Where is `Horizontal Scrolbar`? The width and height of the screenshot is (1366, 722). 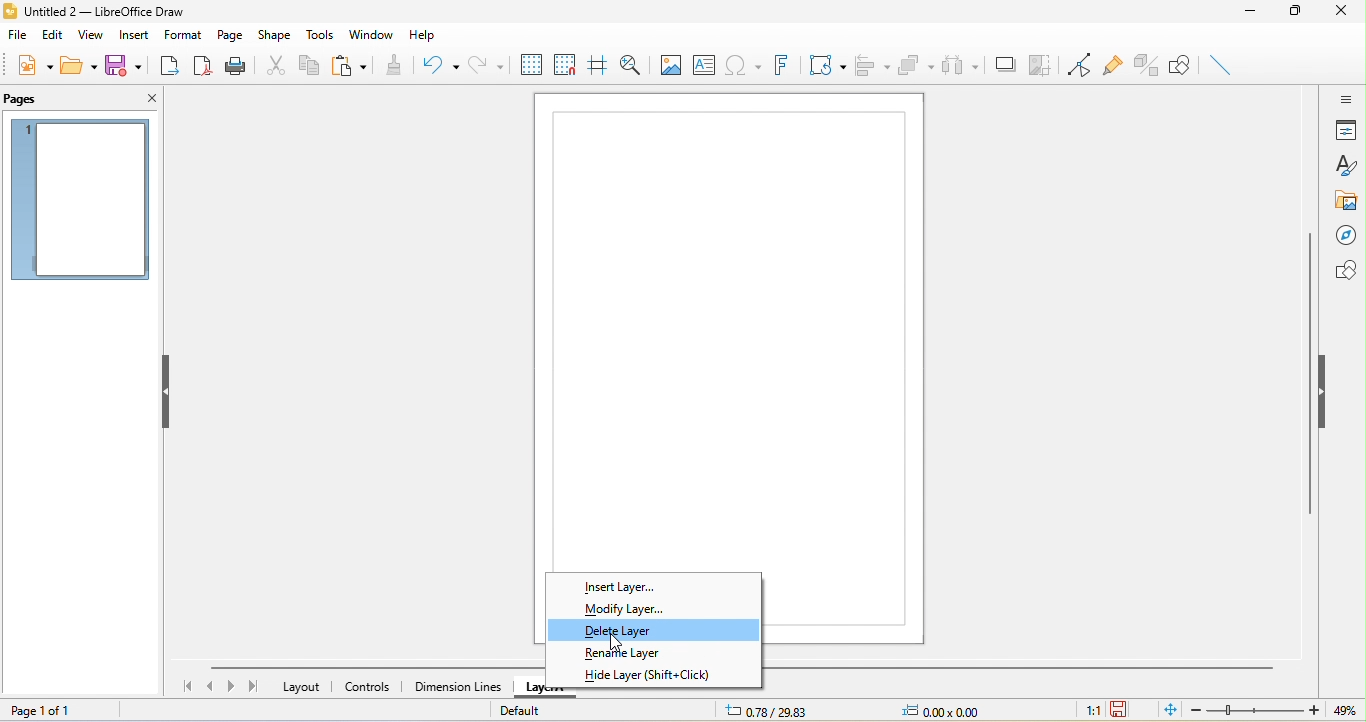
Horizontal Scrolbar is located at coordinates (1024, 667).